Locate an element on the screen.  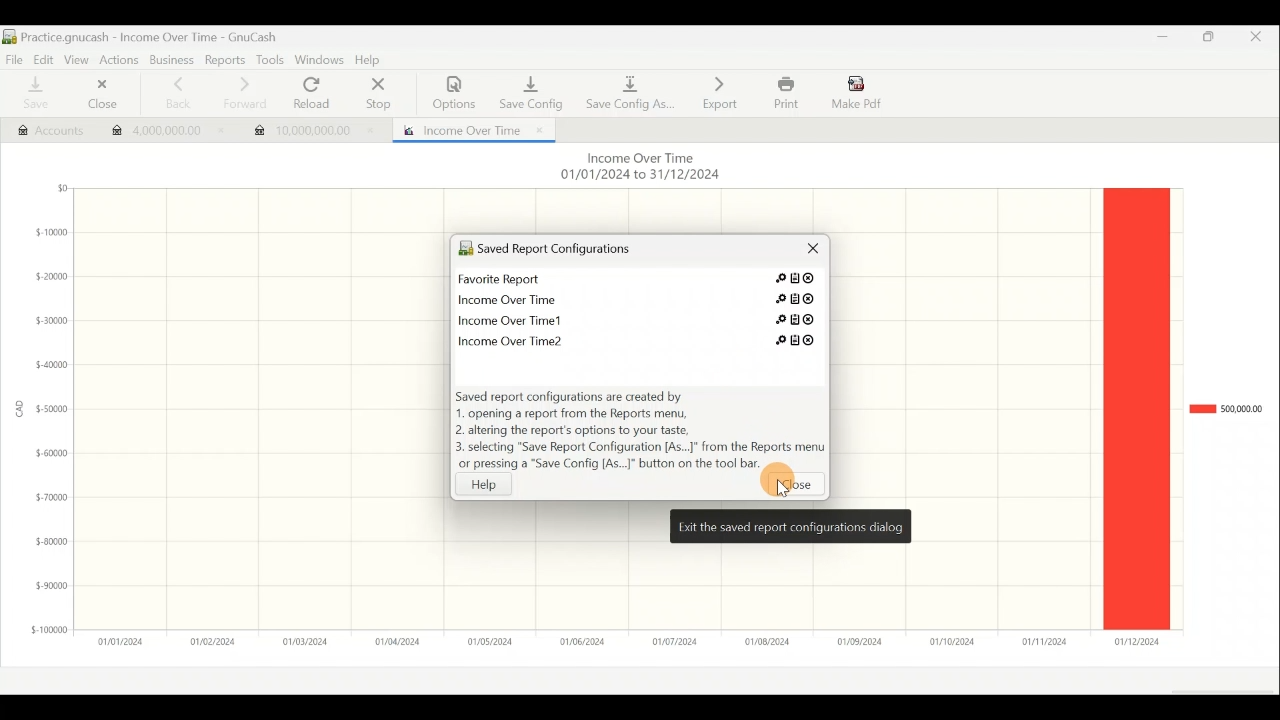
Close is located at coordinates (1263, 40).